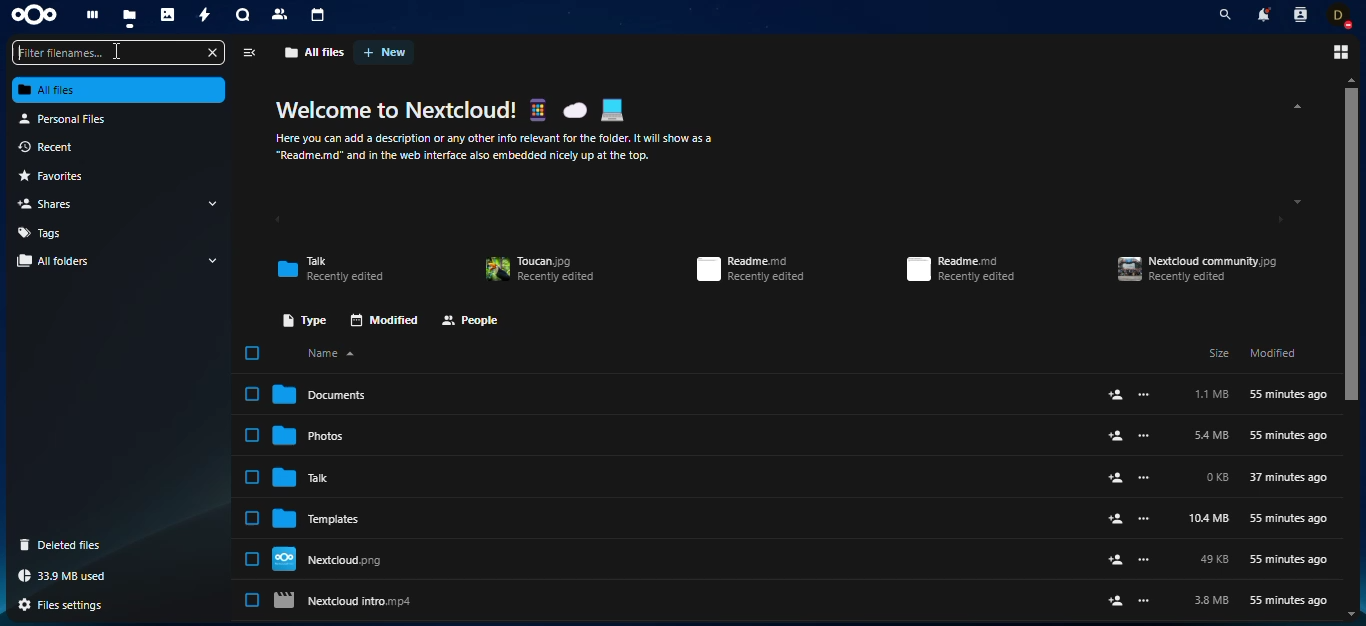 The width and height of the screenshot is (1366, 626). I want to click on 0 KB 37 minutes ago, so click(1267, 478).